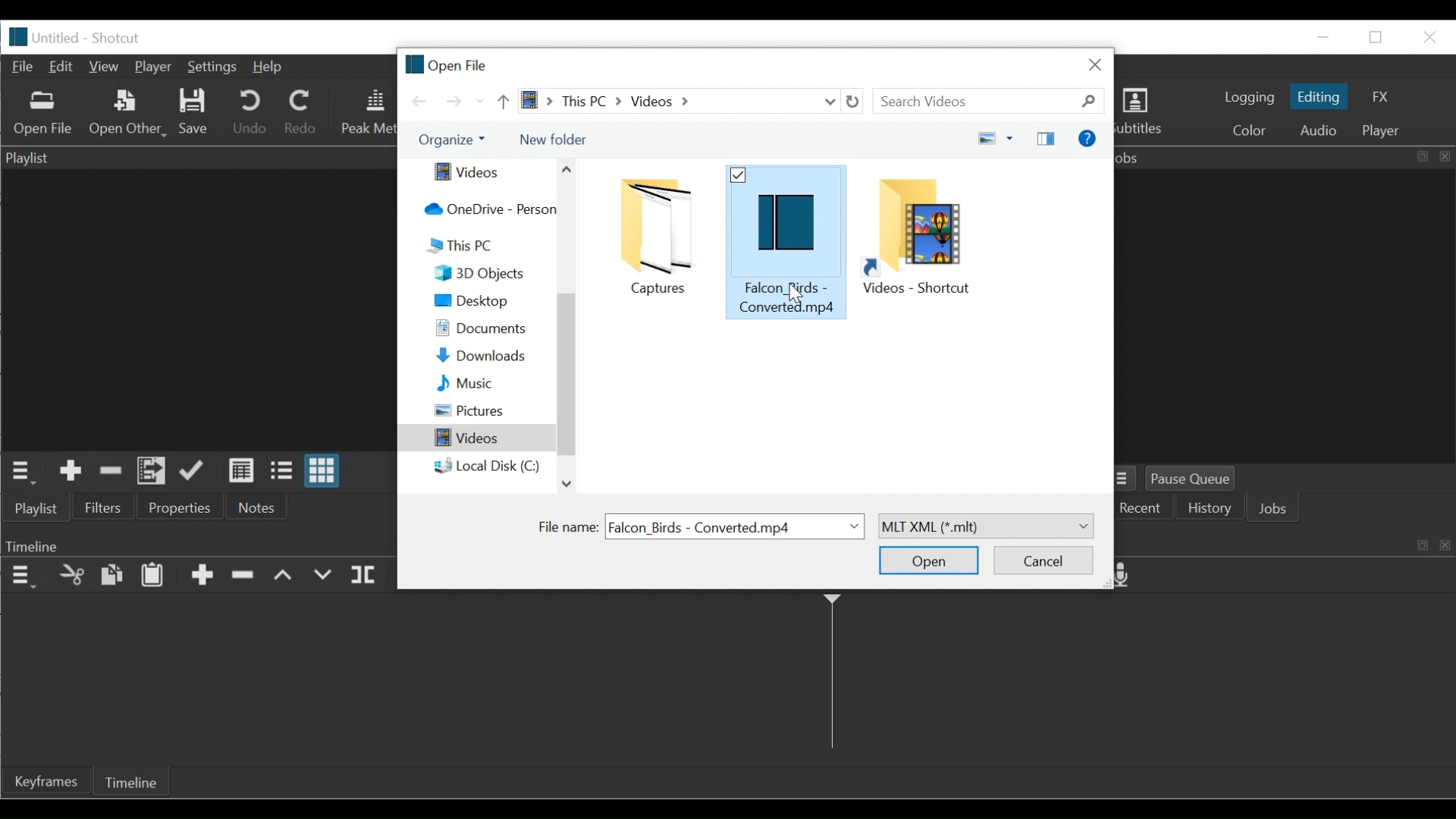 The width and height of the screenshot is (1456, 819). What do you see at coordinates (1129, 576) in the screenshot?
I see `Record audio` at bounding box center [1129, 576].